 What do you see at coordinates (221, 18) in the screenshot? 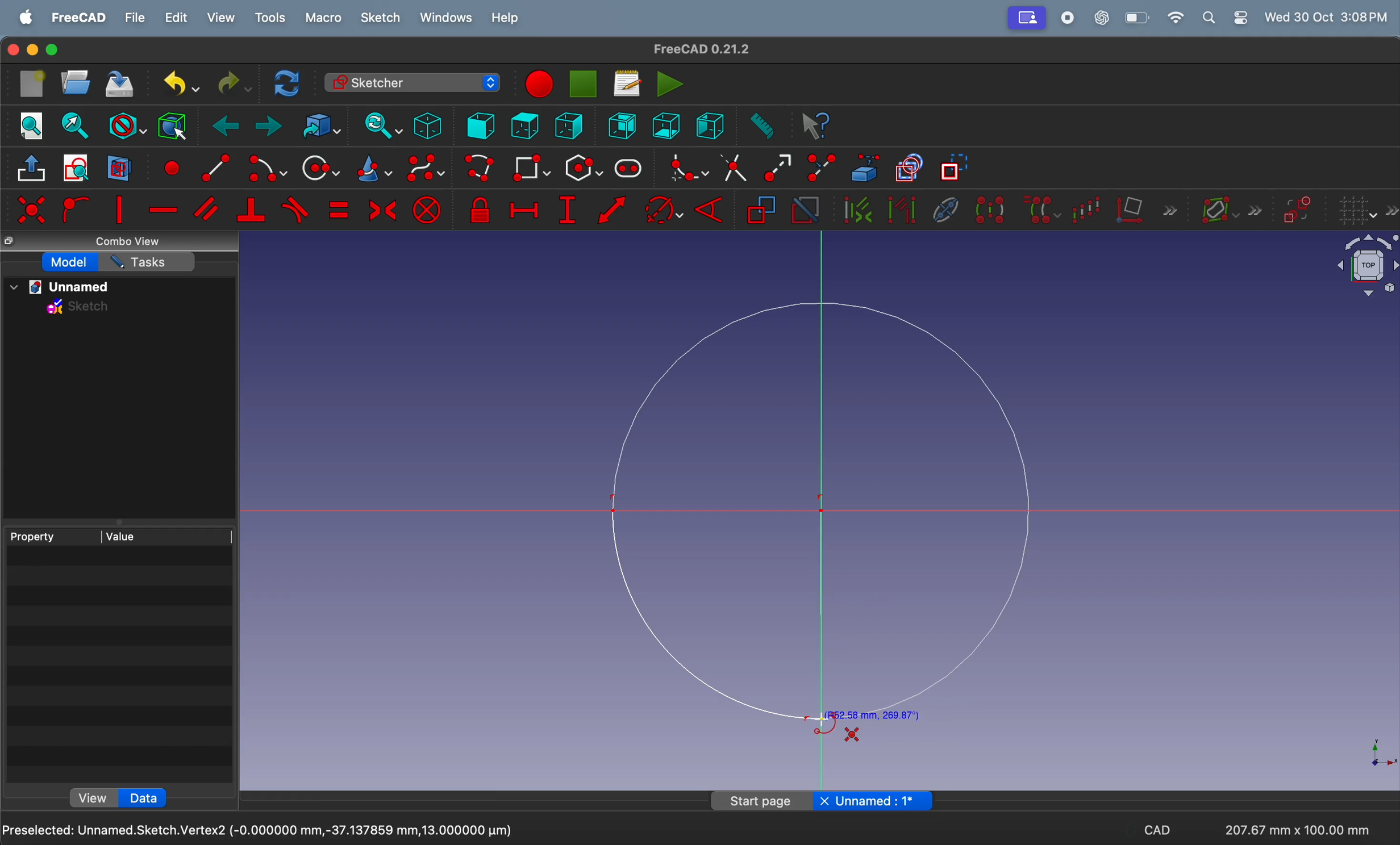
I see `view` at bounding box center [221, 18].